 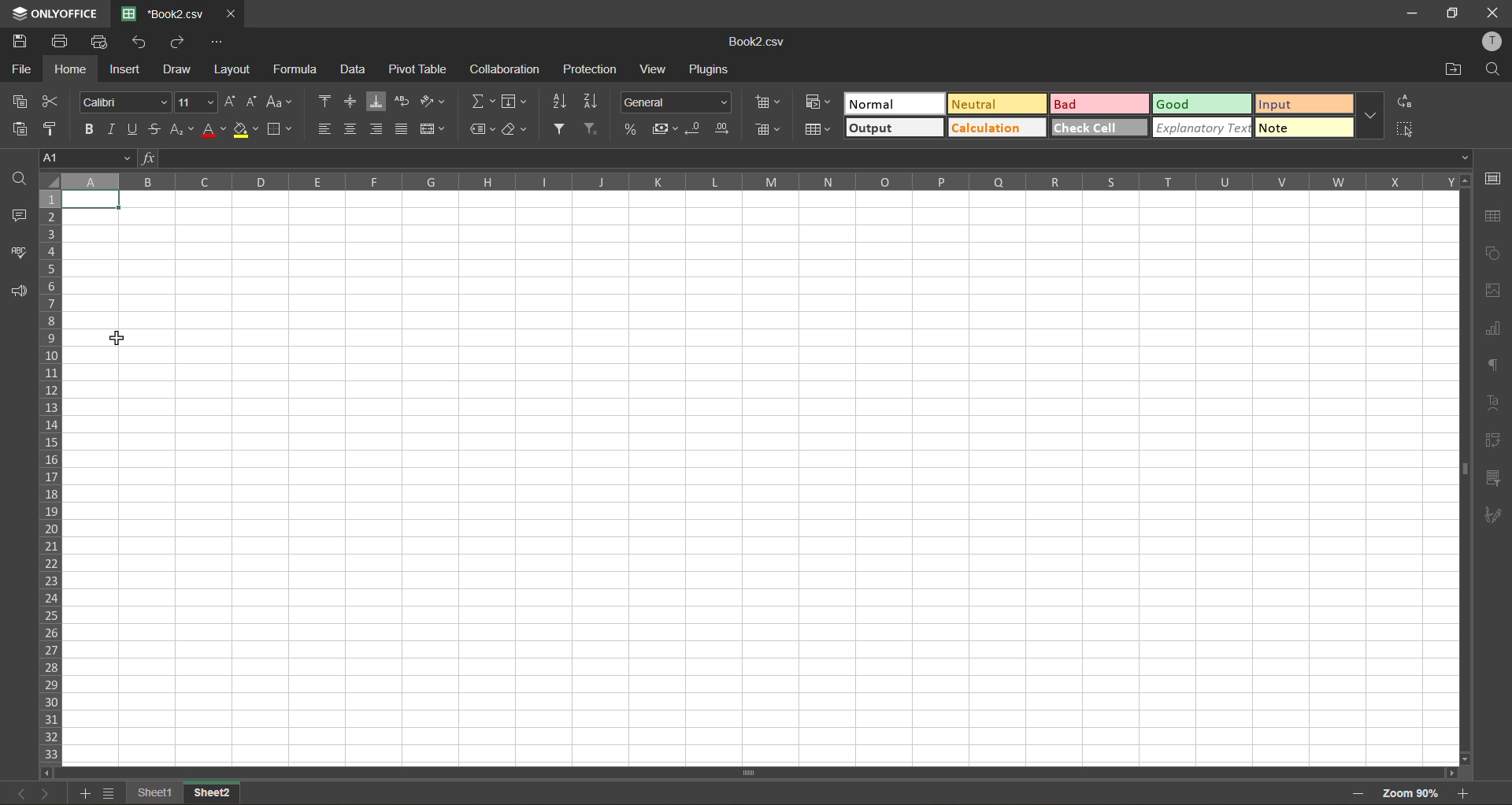 I want to click on call settings, so click(x=1494, y=178).